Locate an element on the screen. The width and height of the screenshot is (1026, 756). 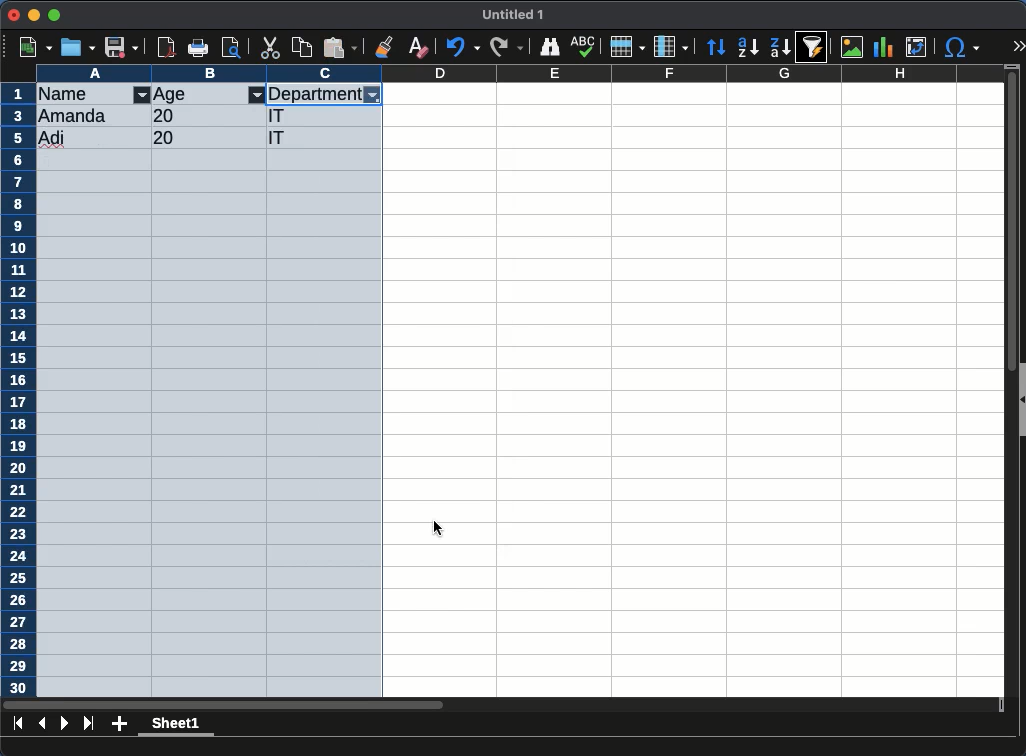
paste is located at coordinates (340, 47).